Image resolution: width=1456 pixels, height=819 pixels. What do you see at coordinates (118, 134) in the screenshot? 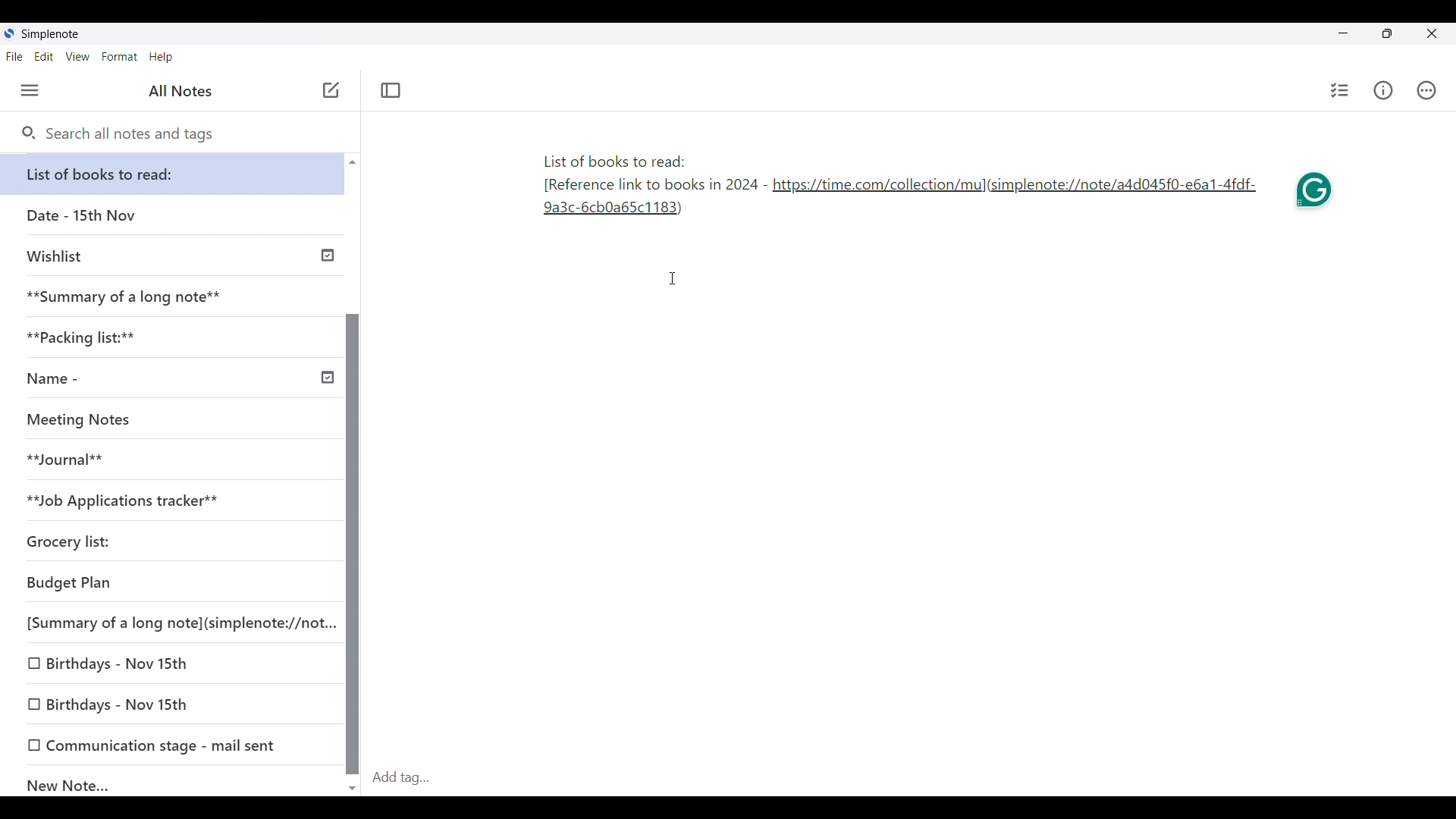
I see `Search all notes and tags` at bounding box center [118, 134].